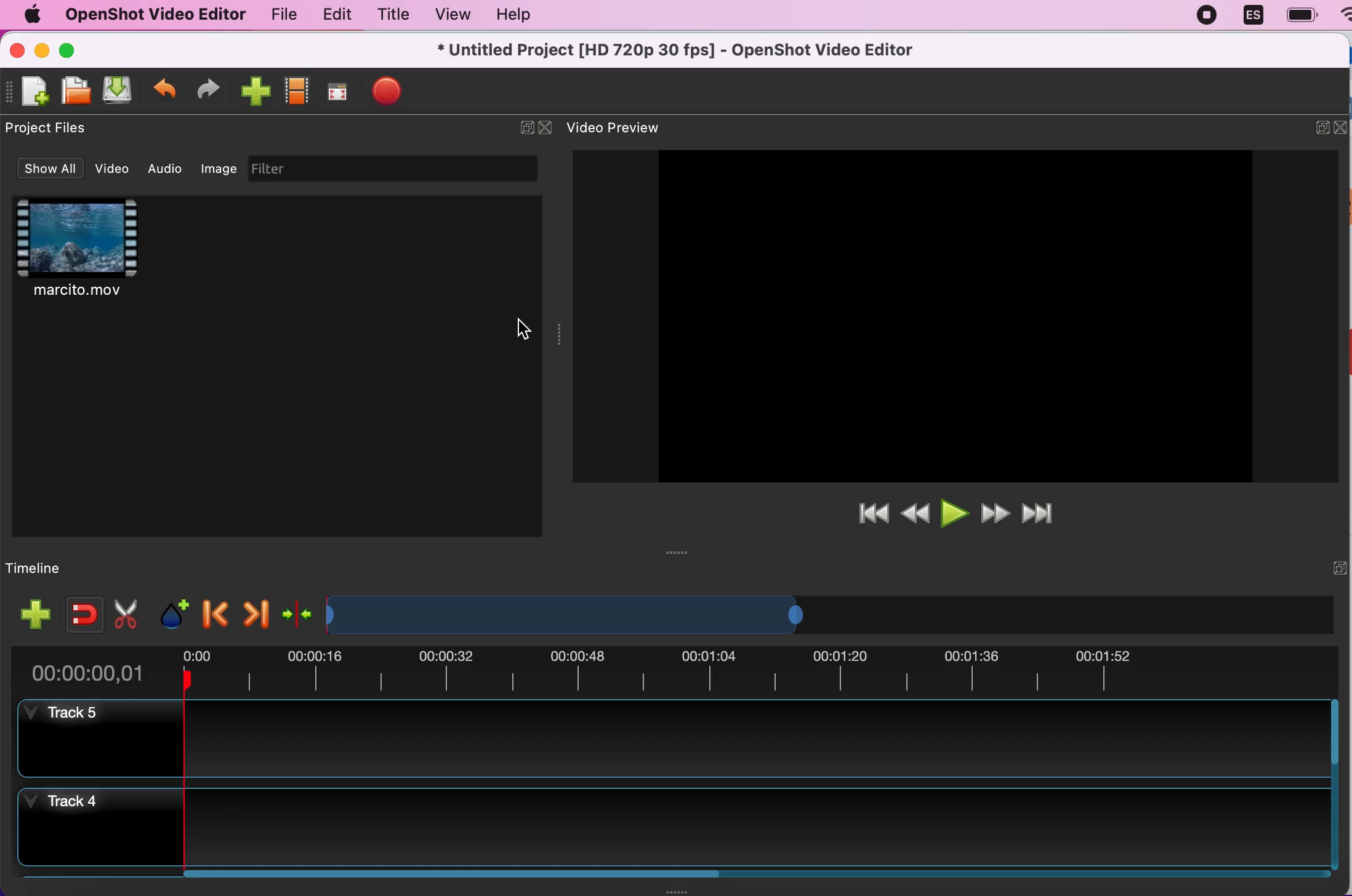 Image resolution: width=1352 pixels, height=896 pixels. I want to click on audio, so click(167, 170).